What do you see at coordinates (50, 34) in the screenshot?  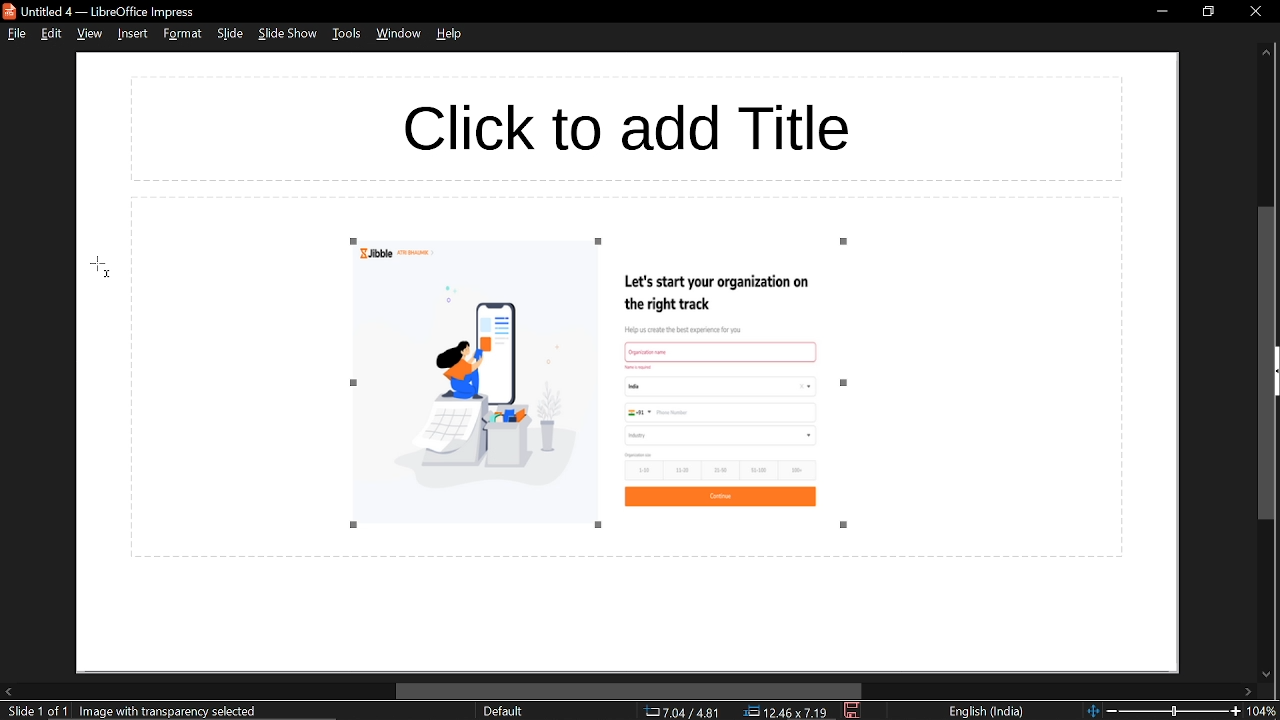 I see `edit` at bounding box center [50, 34].